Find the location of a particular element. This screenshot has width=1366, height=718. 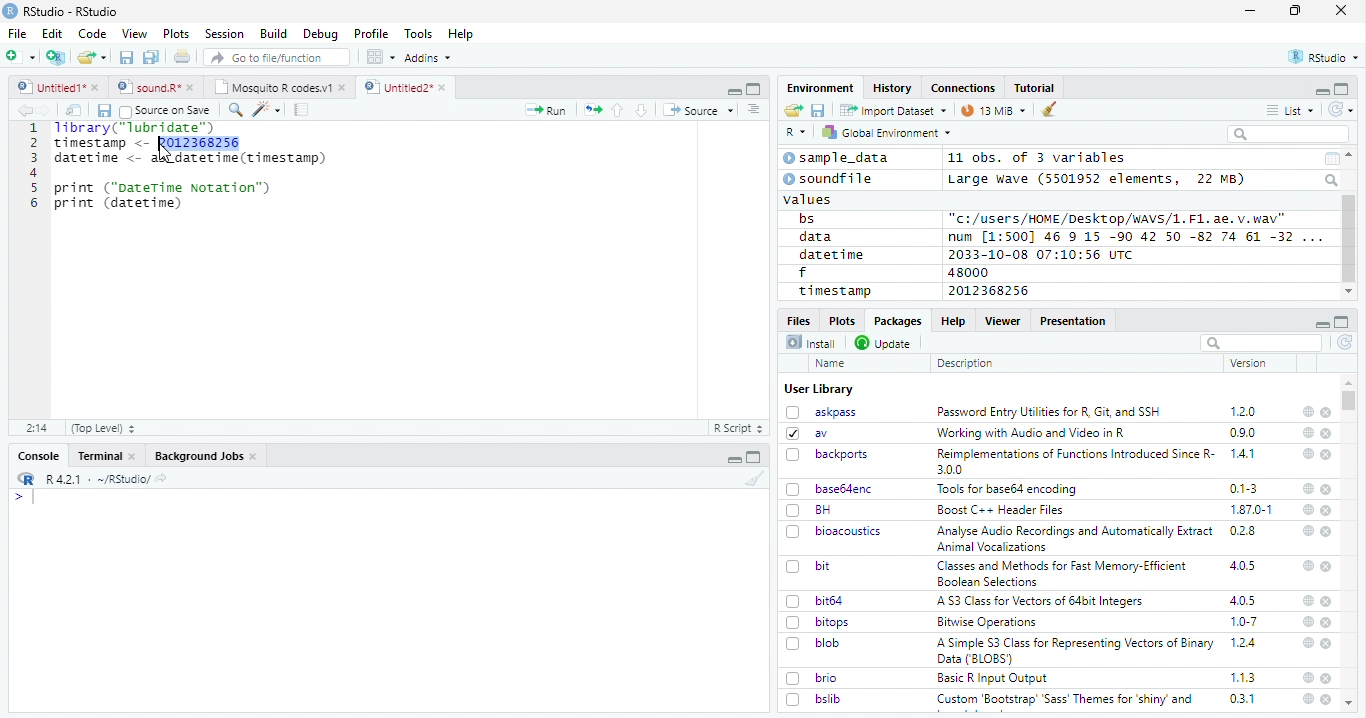

help is located at coordinates (1308, 677).